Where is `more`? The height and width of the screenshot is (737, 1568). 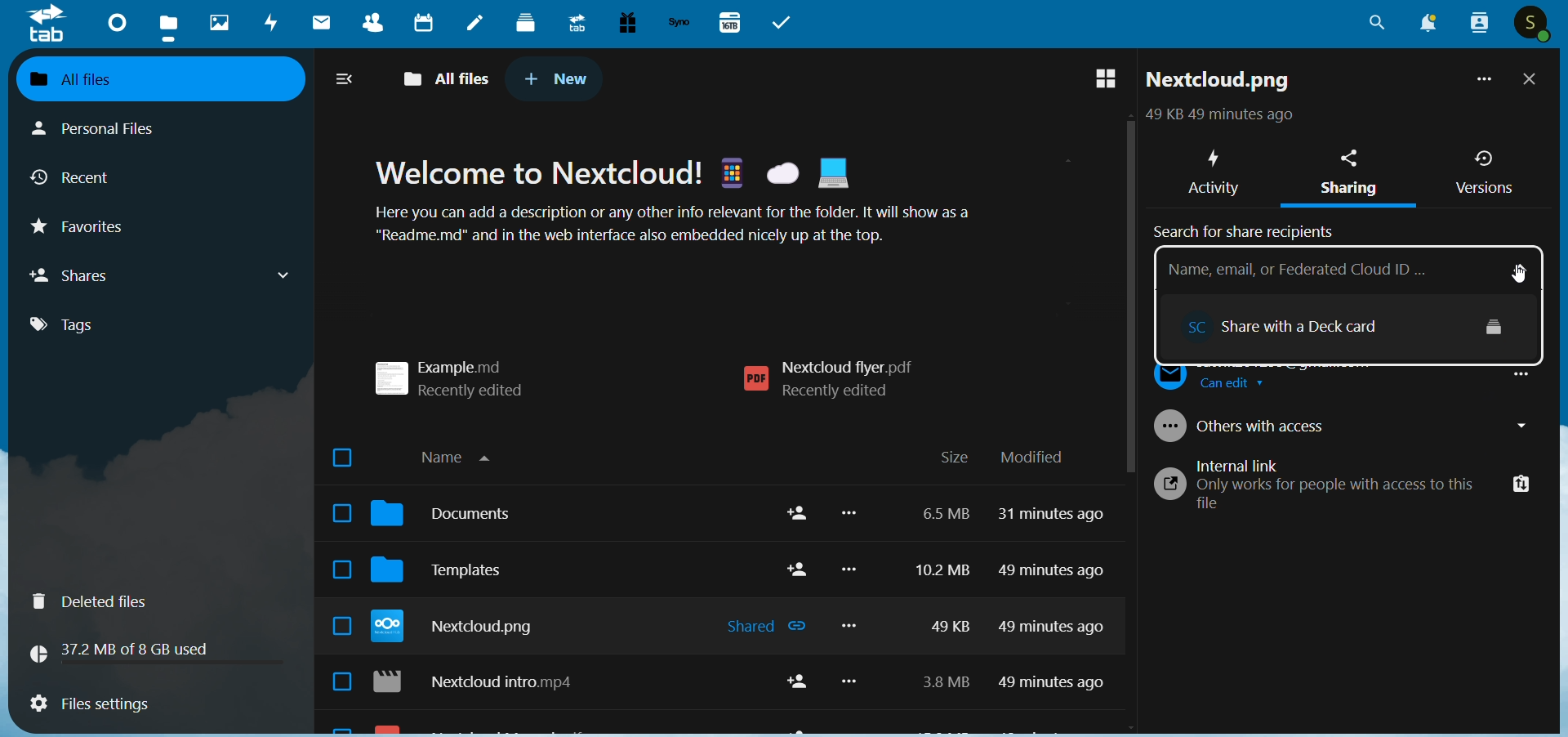
more is located at coordinates (853, 607).